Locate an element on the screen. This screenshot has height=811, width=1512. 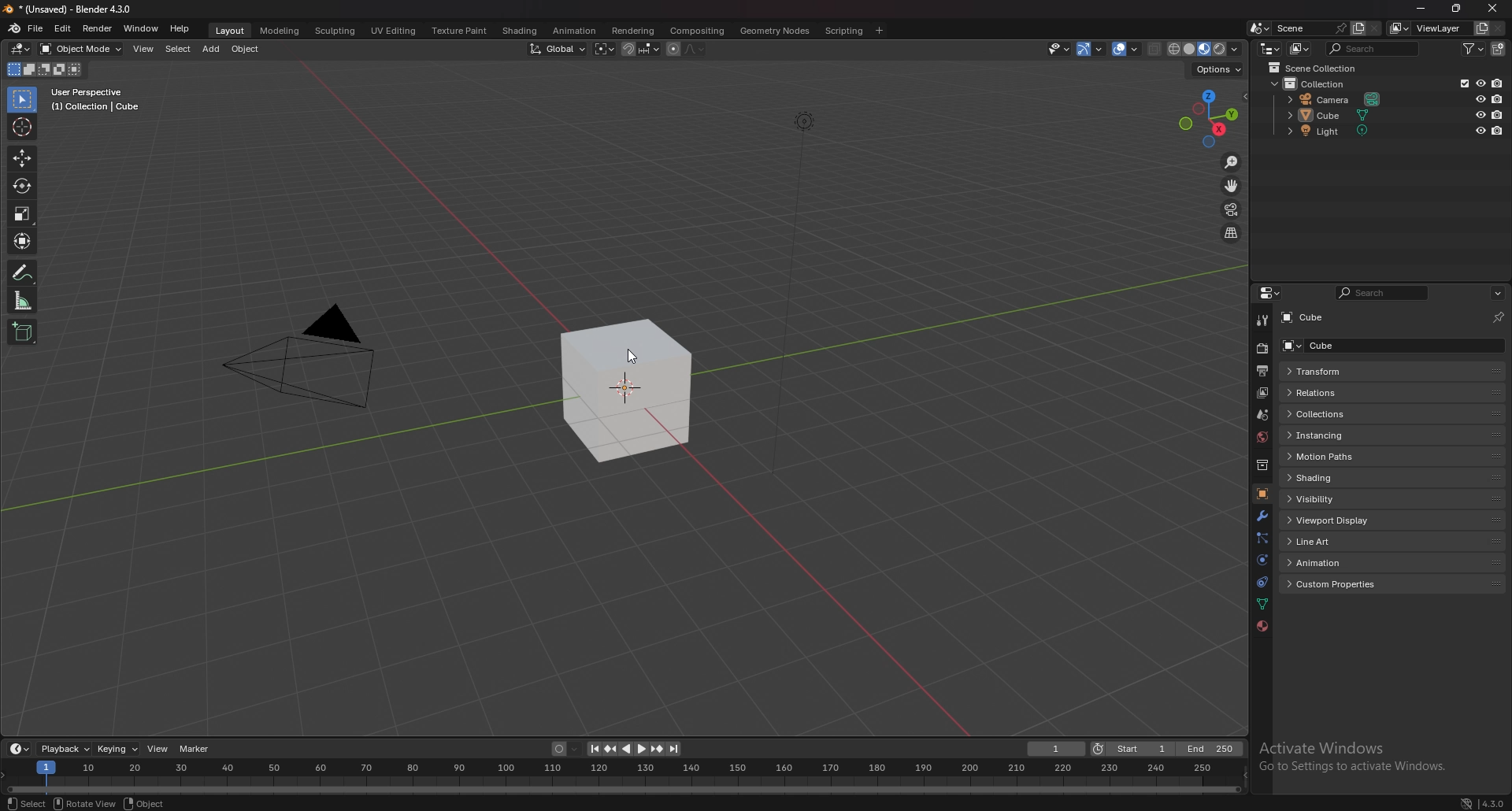
hide in viewport is located at coordinates (1479, 98).